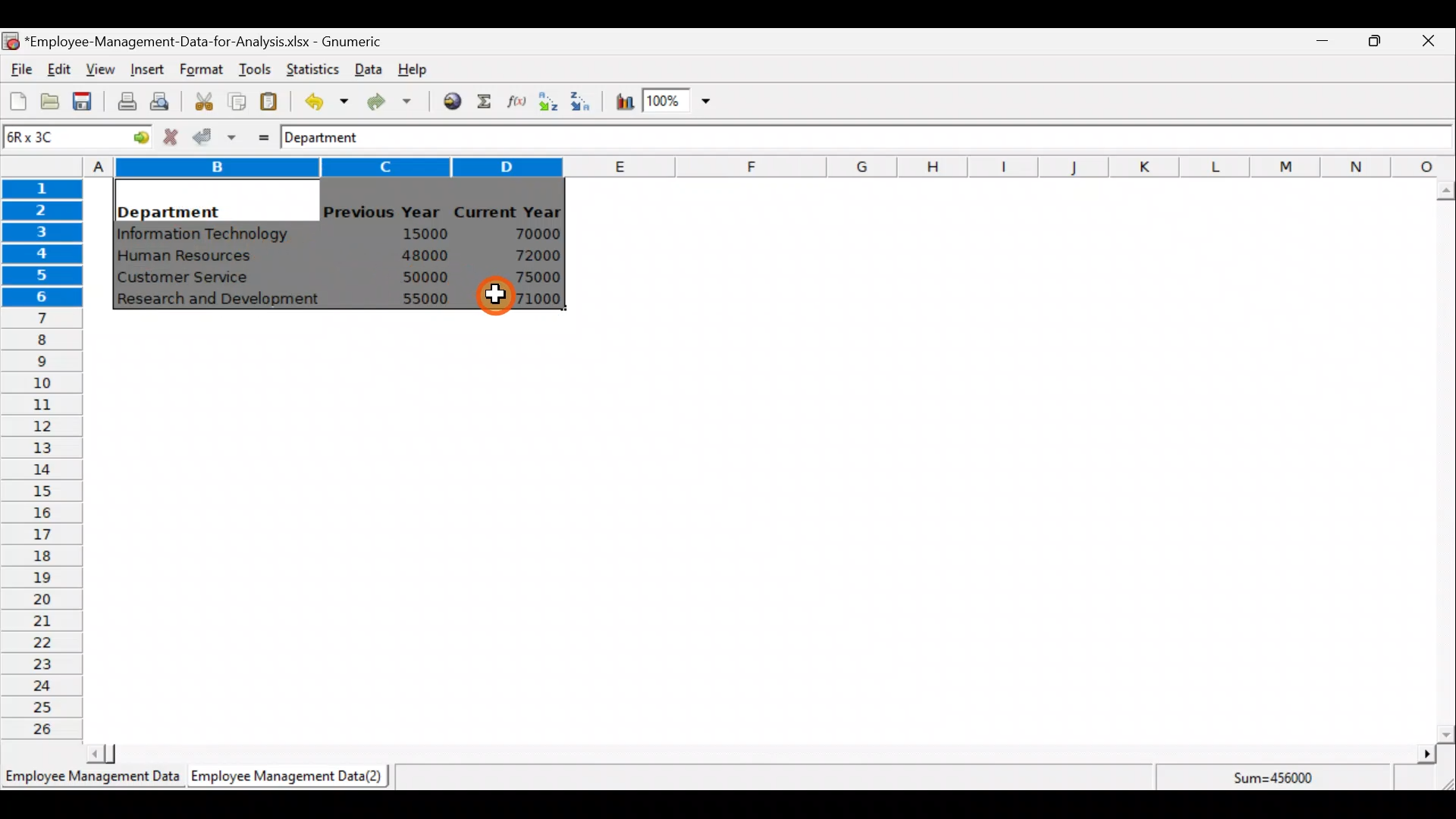  Describe the element at coordinates (99, 70) in the screenshot. I see `View` at that location.